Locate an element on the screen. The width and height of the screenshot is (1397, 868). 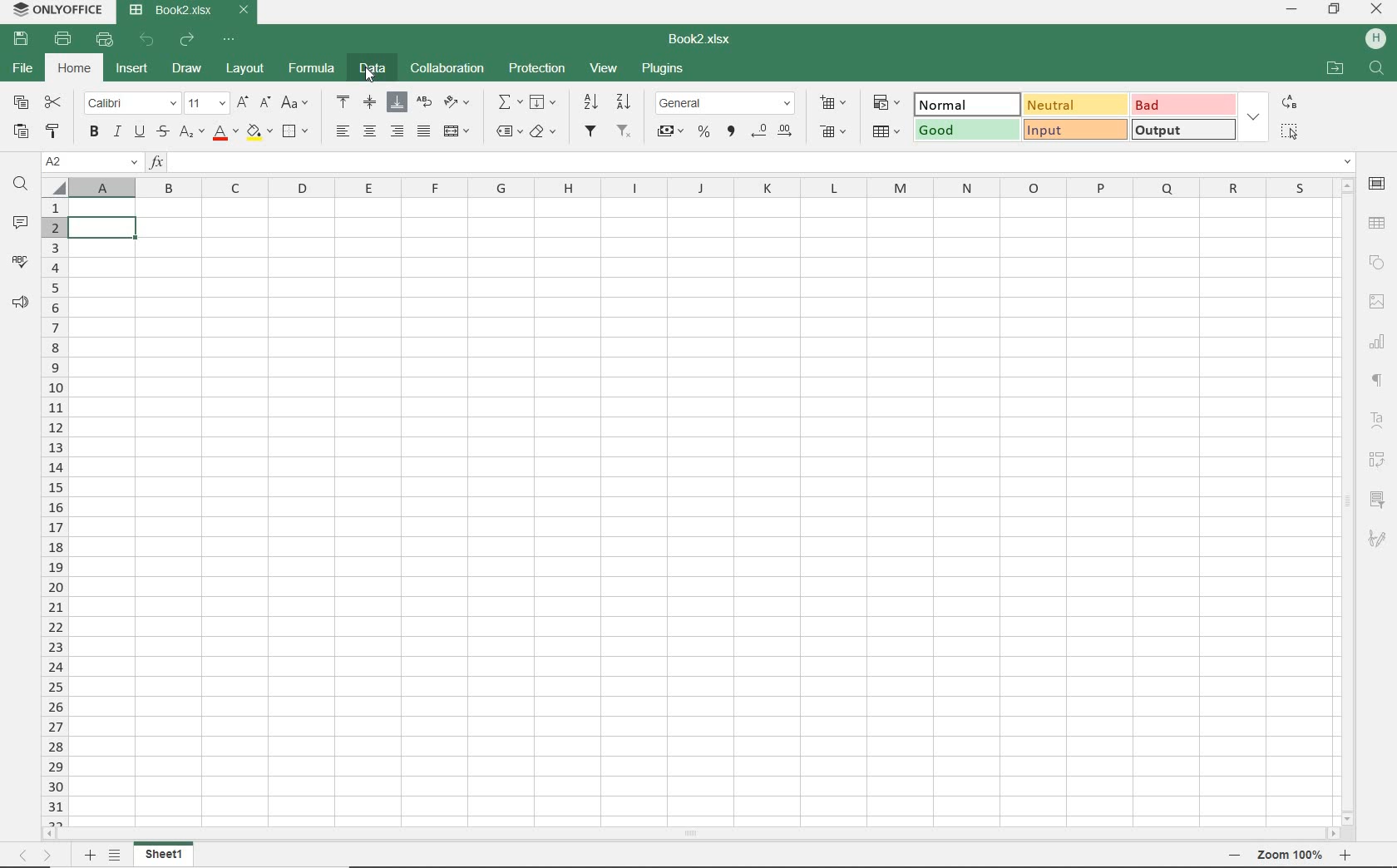
CHANGE CASE is located at coordinates (294, 102).